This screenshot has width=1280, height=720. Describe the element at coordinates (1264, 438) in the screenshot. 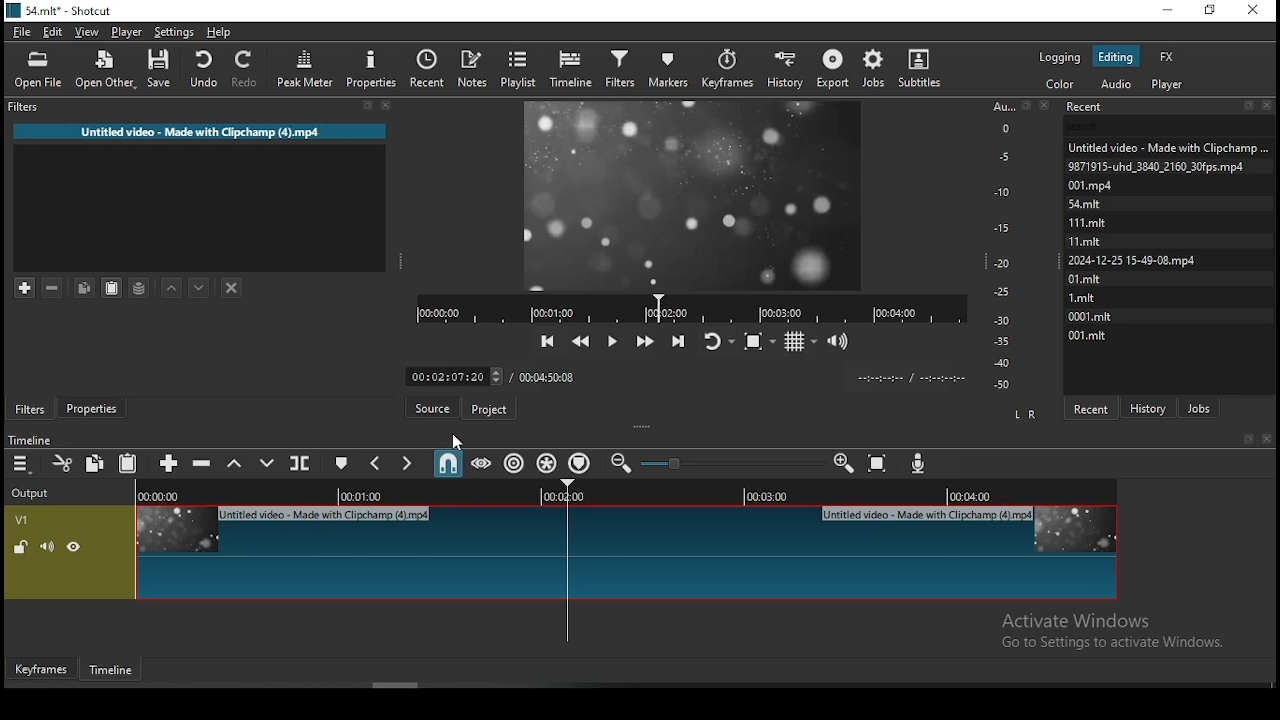

I see `close` at that location.